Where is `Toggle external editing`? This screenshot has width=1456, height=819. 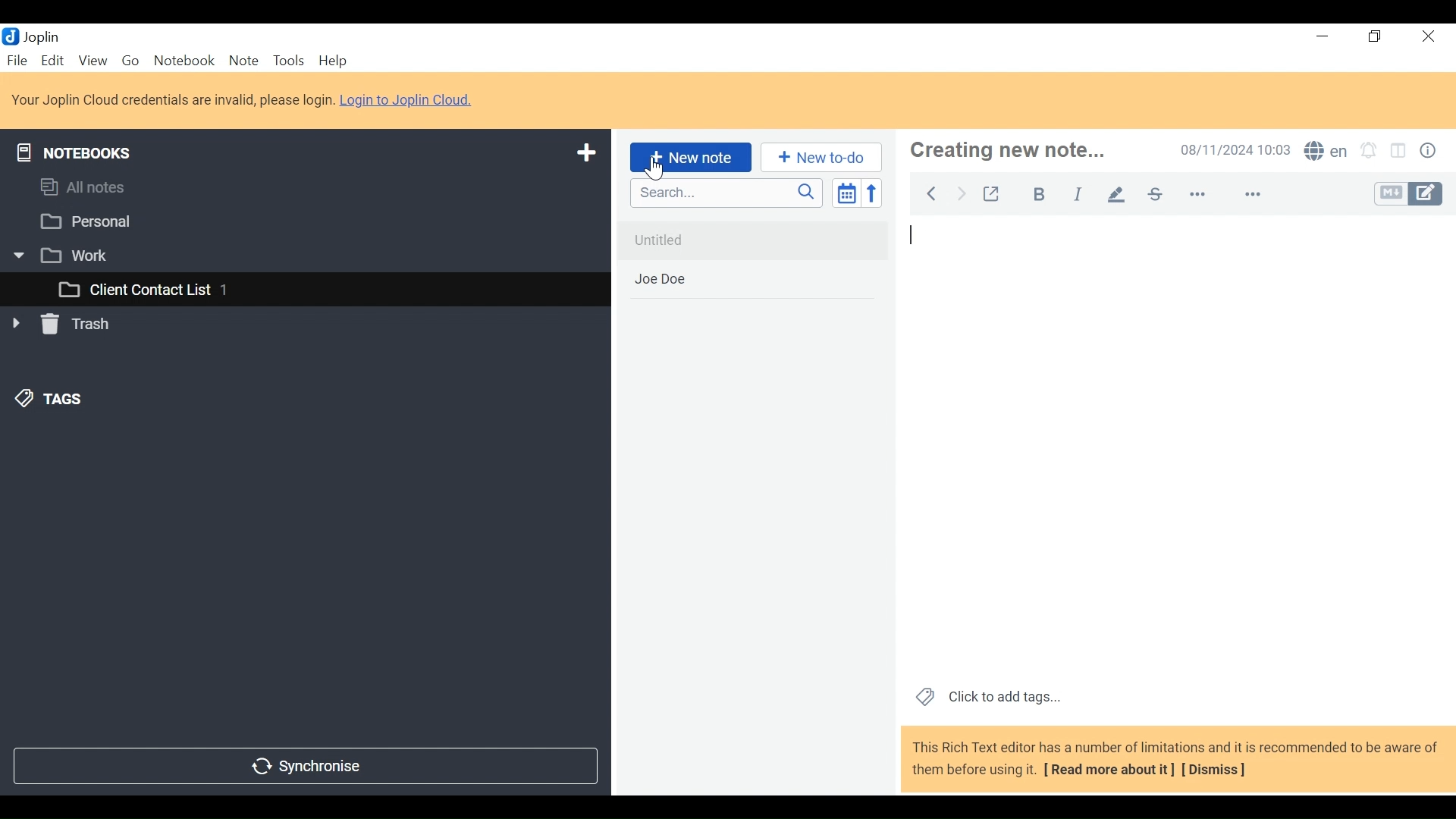 Toggle external editing is located at coordinates (994, 194).